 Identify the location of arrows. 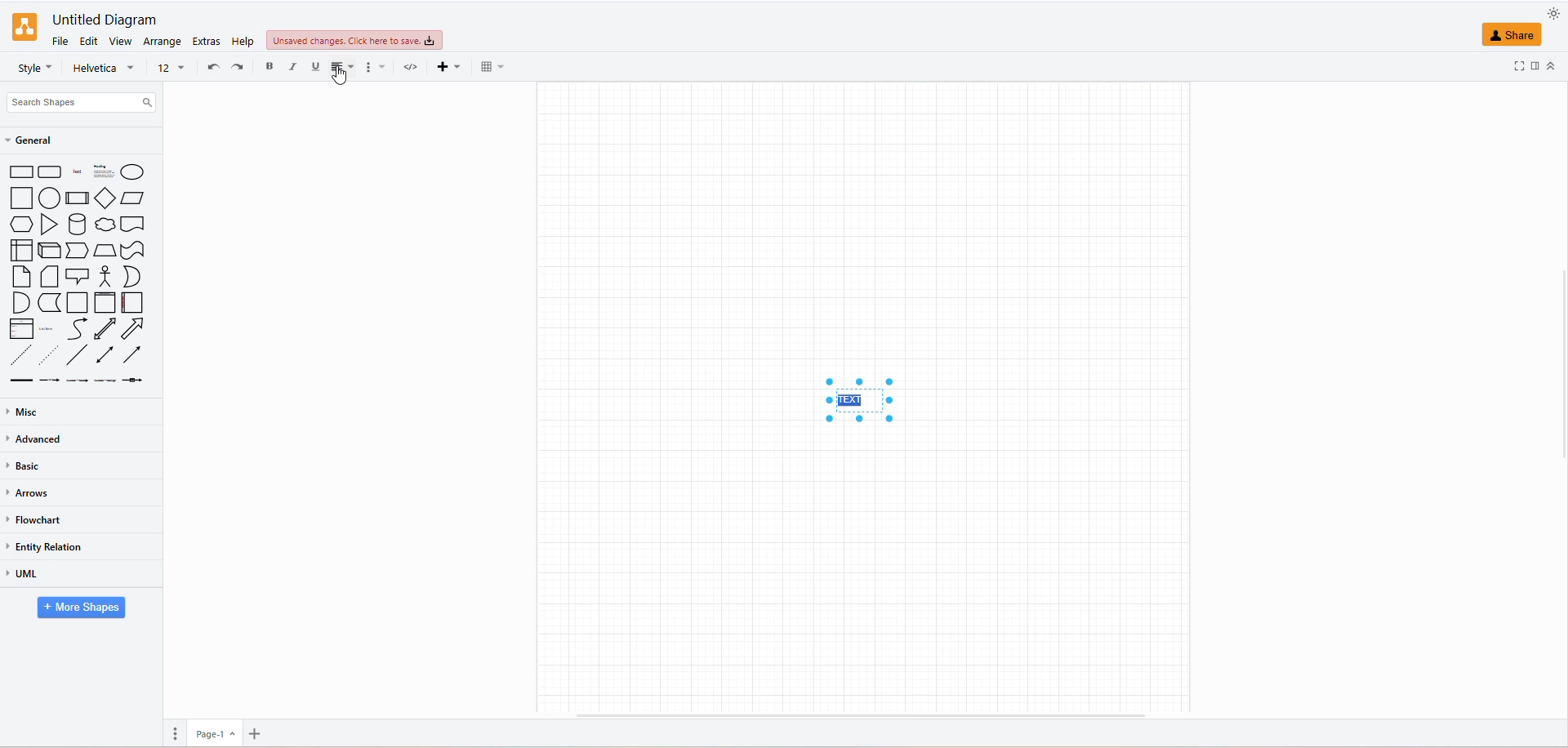
(32, 494).